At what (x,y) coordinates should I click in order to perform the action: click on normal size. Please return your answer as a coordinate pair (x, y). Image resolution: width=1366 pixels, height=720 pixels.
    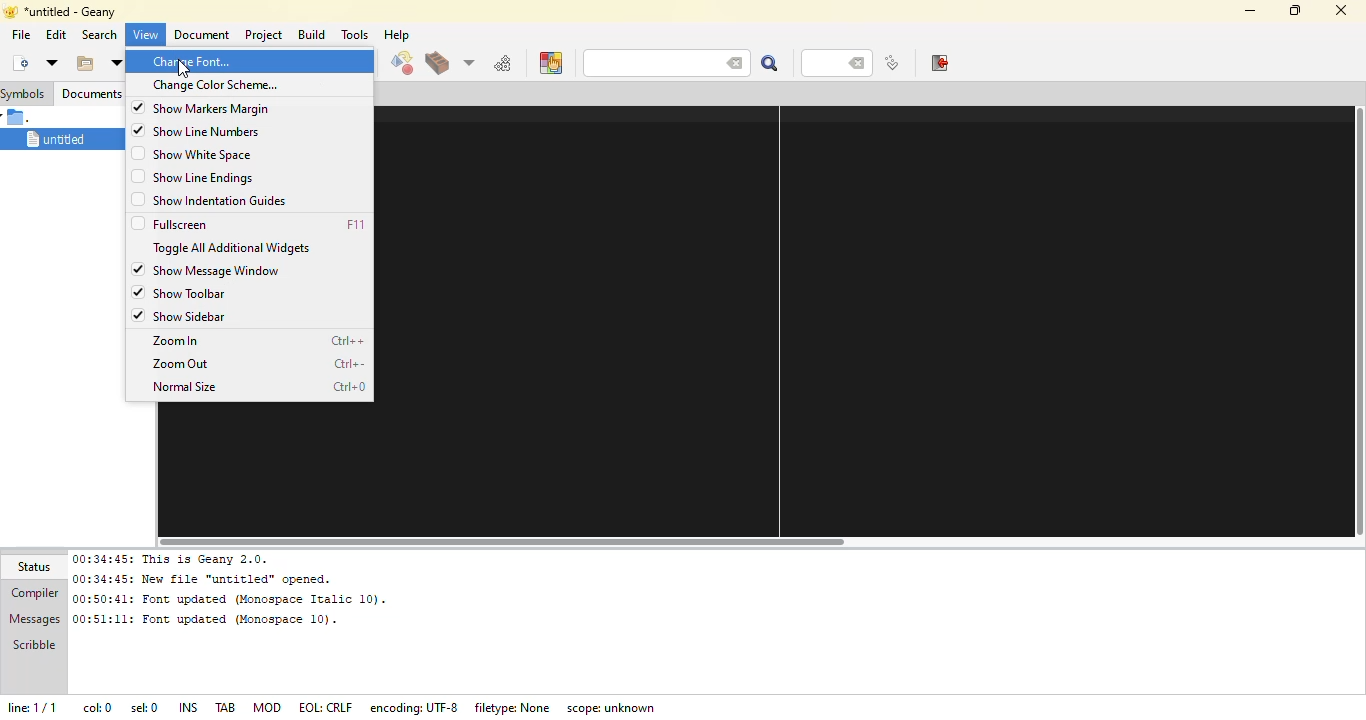
    Looking at the image, I should click on (187, 387).